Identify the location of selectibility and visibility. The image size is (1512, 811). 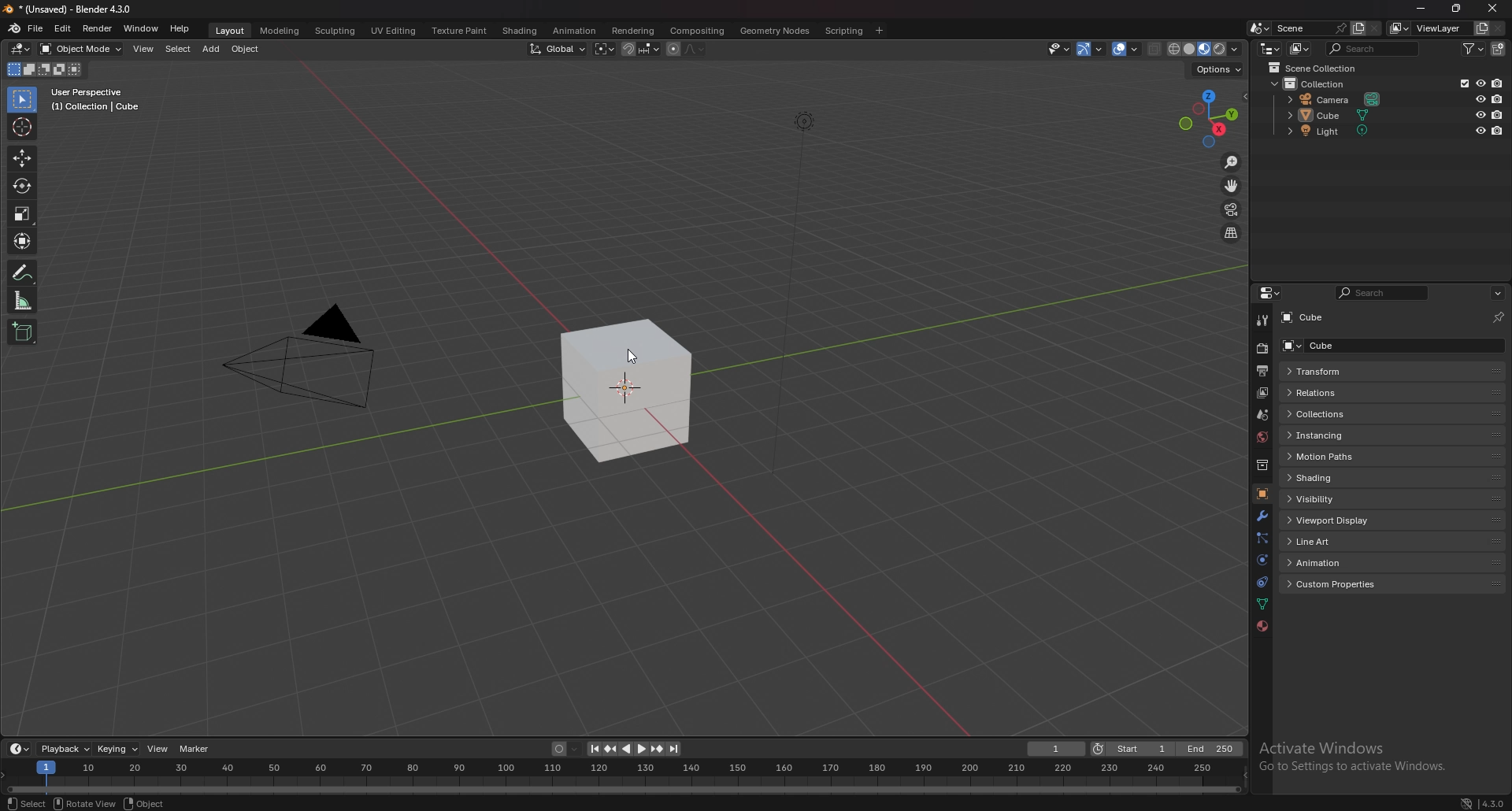
(1060, 50).